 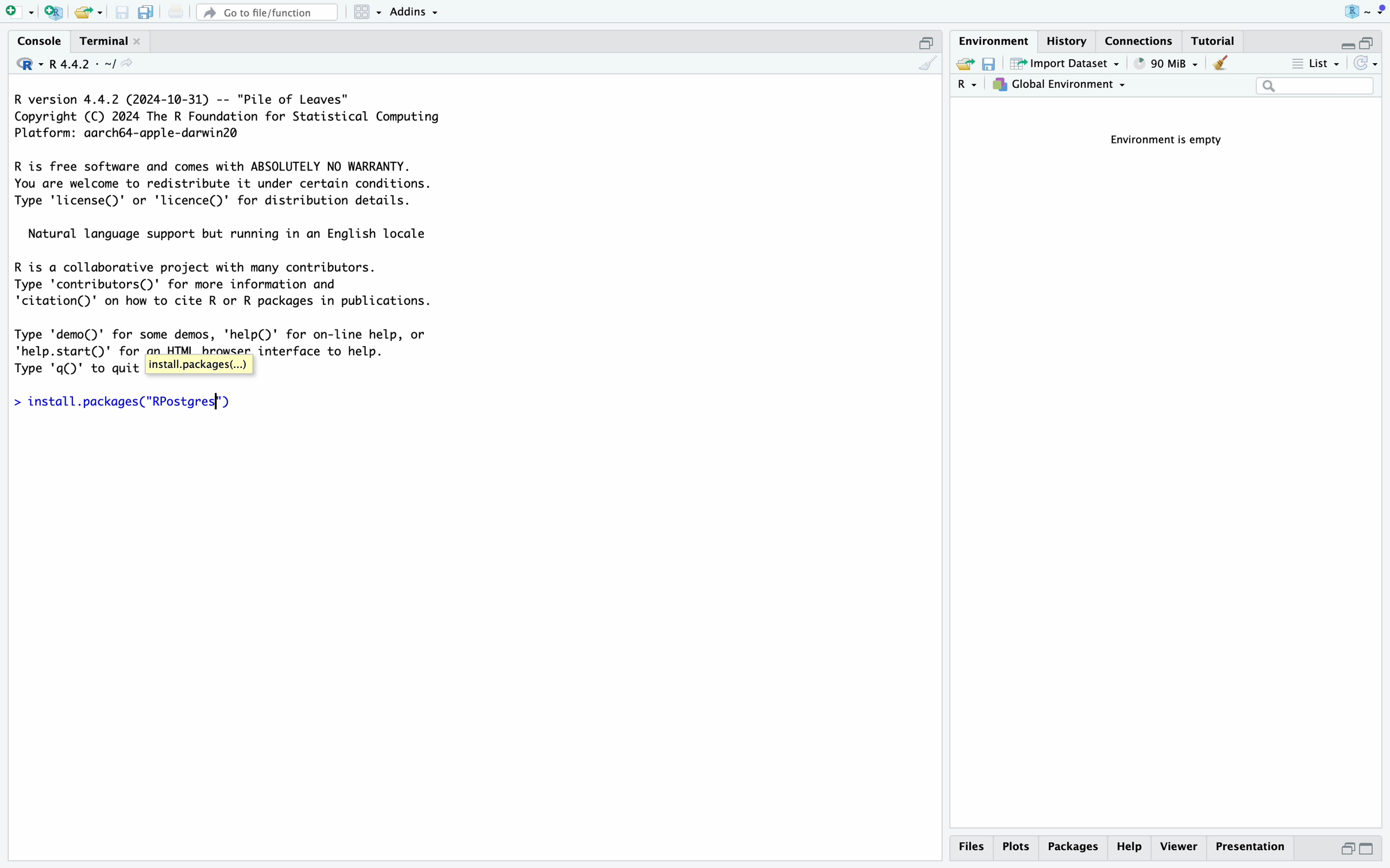 What do you see at coordinates (231, 336) in the screenshot?
I see `demo and help of R` at bounding box center [231, 336].